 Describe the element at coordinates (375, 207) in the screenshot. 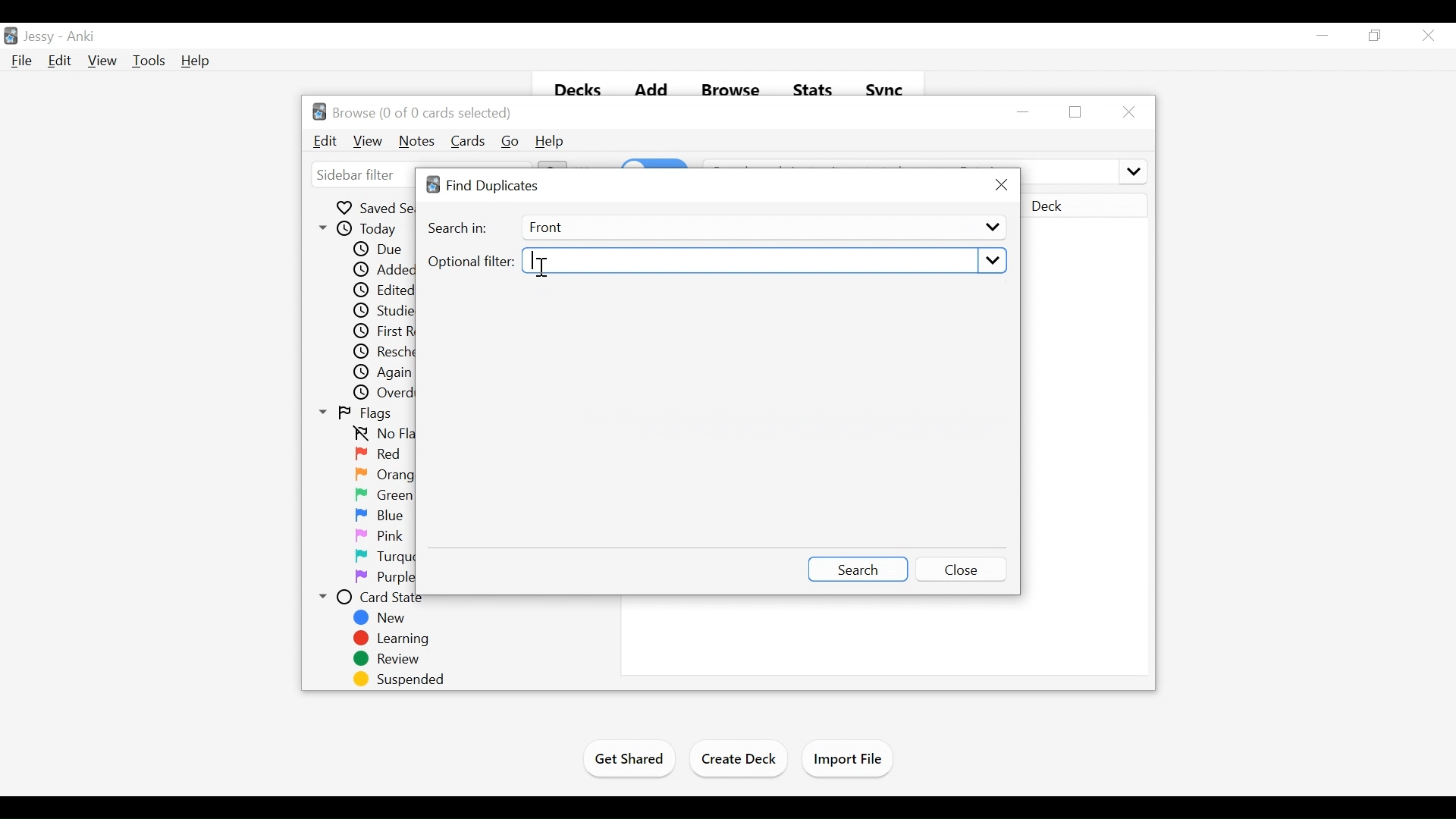

I see `Saved Searches` at that location.